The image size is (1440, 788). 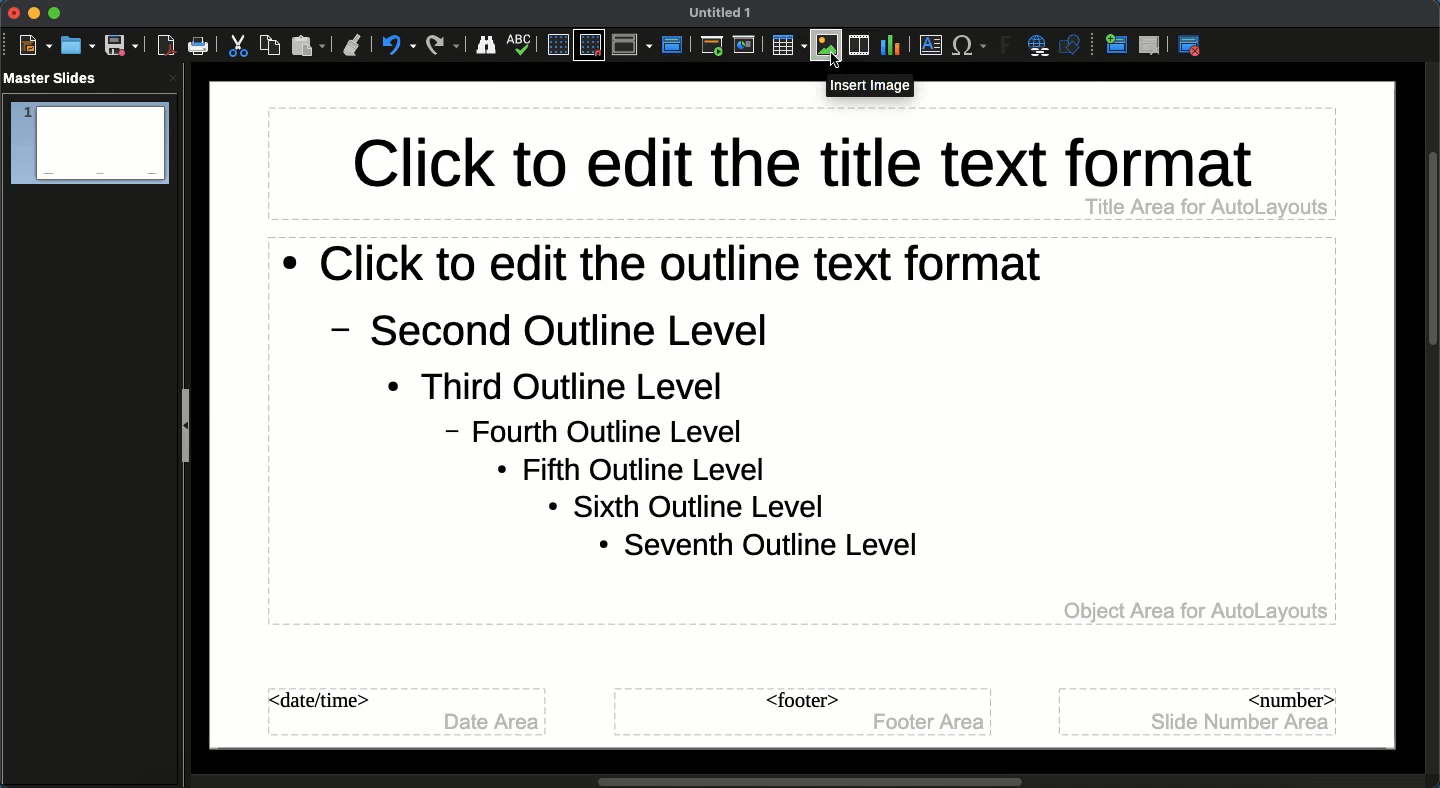 What do you see at coordinates (310, 46) in the screenshot?
I see `Paste` at bounding box center [310, 46].